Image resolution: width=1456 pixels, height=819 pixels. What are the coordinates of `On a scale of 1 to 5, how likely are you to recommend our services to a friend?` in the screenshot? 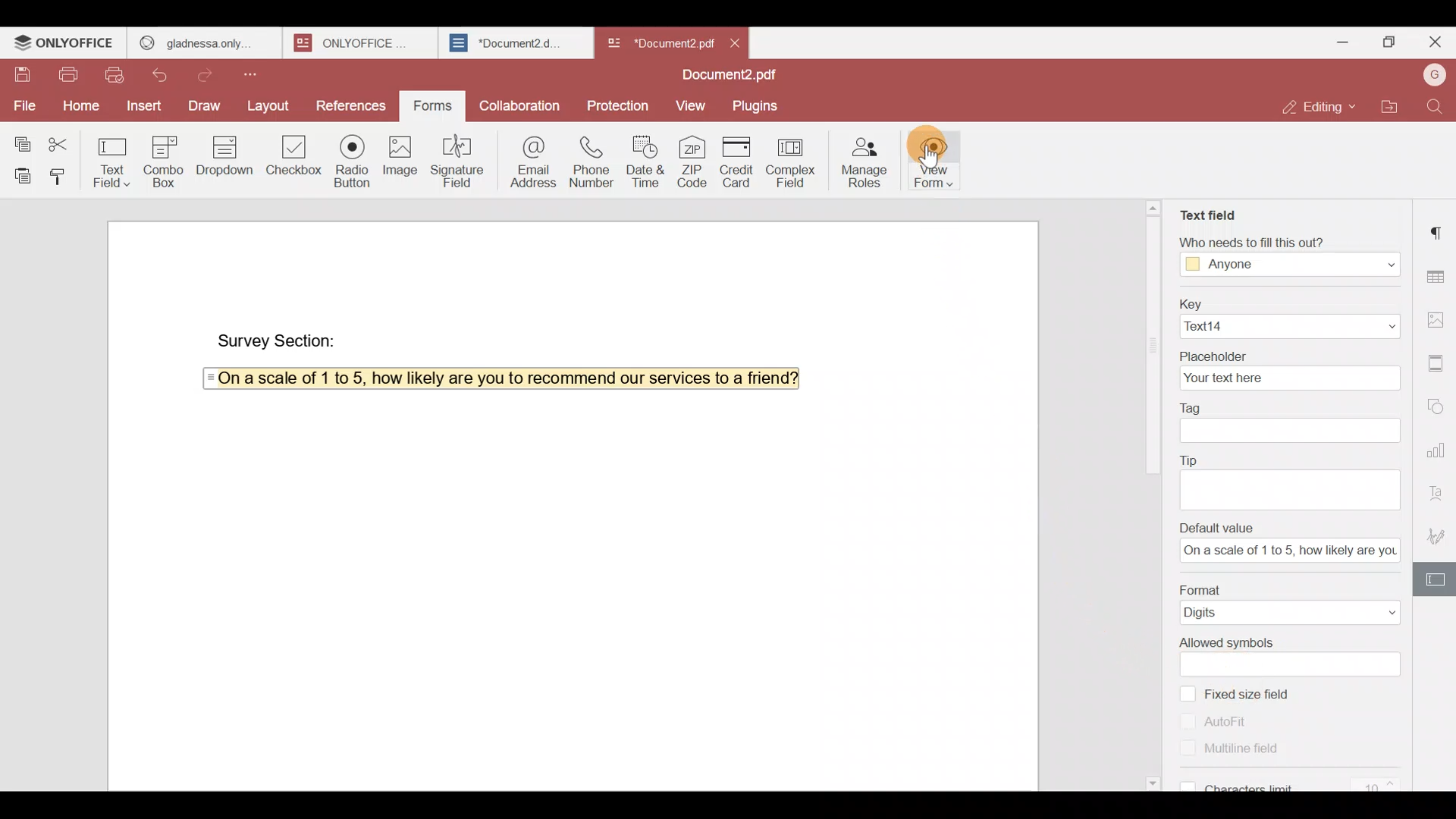 It's located at (499, 378).